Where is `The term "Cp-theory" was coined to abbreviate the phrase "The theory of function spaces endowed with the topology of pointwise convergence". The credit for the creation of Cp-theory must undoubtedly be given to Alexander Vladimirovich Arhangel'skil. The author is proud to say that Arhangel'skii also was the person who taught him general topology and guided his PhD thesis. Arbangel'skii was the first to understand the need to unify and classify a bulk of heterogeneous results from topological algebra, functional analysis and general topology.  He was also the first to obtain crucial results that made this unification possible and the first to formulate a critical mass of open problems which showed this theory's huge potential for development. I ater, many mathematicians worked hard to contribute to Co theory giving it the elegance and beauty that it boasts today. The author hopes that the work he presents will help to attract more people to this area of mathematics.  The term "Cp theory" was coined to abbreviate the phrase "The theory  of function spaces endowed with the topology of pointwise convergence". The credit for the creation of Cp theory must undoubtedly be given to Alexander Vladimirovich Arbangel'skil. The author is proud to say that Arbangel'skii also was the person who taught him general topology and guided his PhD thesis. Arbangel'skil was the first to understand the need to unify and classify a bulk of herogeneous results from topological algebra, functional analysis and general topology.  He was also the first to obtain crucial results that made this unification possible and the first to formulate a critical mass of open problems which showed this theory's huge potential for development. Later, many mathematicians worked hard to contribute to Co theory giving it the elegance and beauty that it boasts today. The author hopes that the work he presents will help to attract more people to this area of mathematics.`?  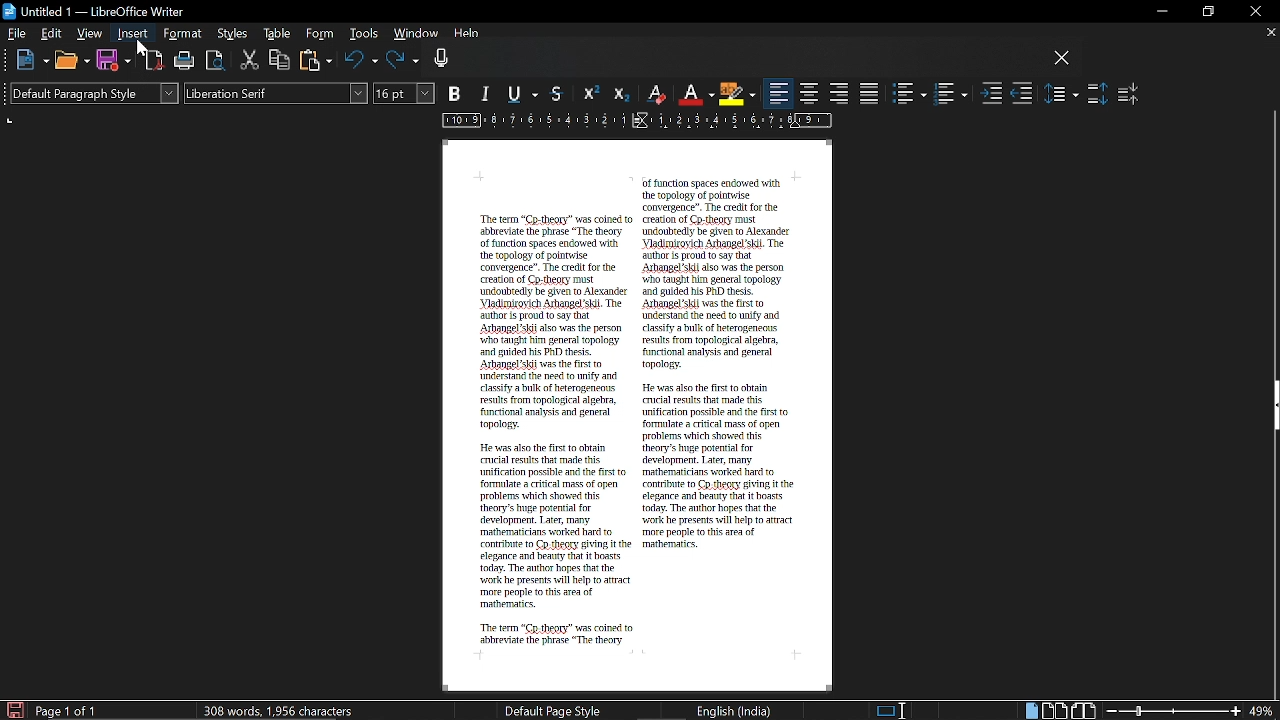 The term "Cp-theory" was coined to abbreviate the phrase "The theory of function spaces endowed with the topology of pointwise convergence". The credit for the creation of Cp-theory must undoubtedly be given to Alexander Vladimirovich Arhangel'skil. The author is proud to say that Arhangel'skii also was the person who taught him general topology and guided his PhD thesis. Arbangel'skii was the first to understand the need to unify and classify a bulk of heterogeneous results from topological algebra, functional analysis and general topology.  He was also the first to obtain crucial results that made this unification possible and the first to formulate a critical mass of open problems which showed this theory's huge potential for development. I ater, many mathematicians worked hard to contribute to Co theory giving it the elegance and beauty that it boasts today. The author hopes that the work he presents will help to attract more people to this area of mathematics.  The term "Cp theory" was coined to abbreviate the phrase "The theory  of function spaces endowed with the topology of pointwise convergence". The credit for the creation of Cp theory must undoubtedly be given to Alexander Vladimirovich Arbangel'skil. The author is proud to say that Arbangel'skii also was the person who taught him general topology and guided his PhD thesis. Arbangel'skil was the first to understand the need to unify and classify a bulk of herogeneous results from topological algebra, functional analysis and general topology.  He was also the first to obtain crucial results that made this unification possible and the first to formulate a critical mass of open problems which showed this theory's huge potential for development. Later, many mathematicians worked hard to contribute to Co theory giving it the elegance and beauty that it boasts today. The author hopes that the work he presents will help to attract more people to this area of mathematics. is located at coordinates (635, 408).